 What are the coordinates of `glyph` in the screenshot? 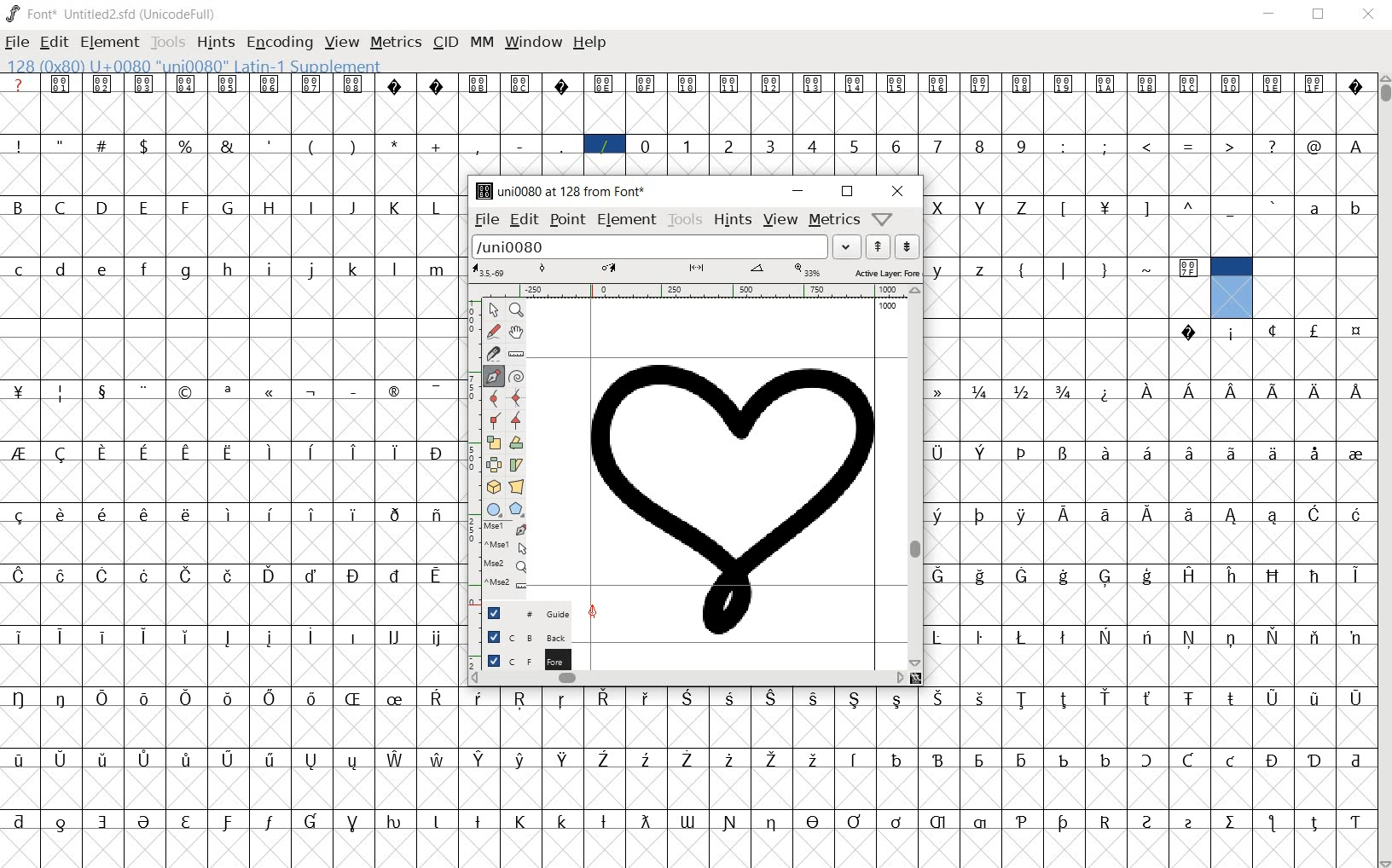 It's located at (270, 575).